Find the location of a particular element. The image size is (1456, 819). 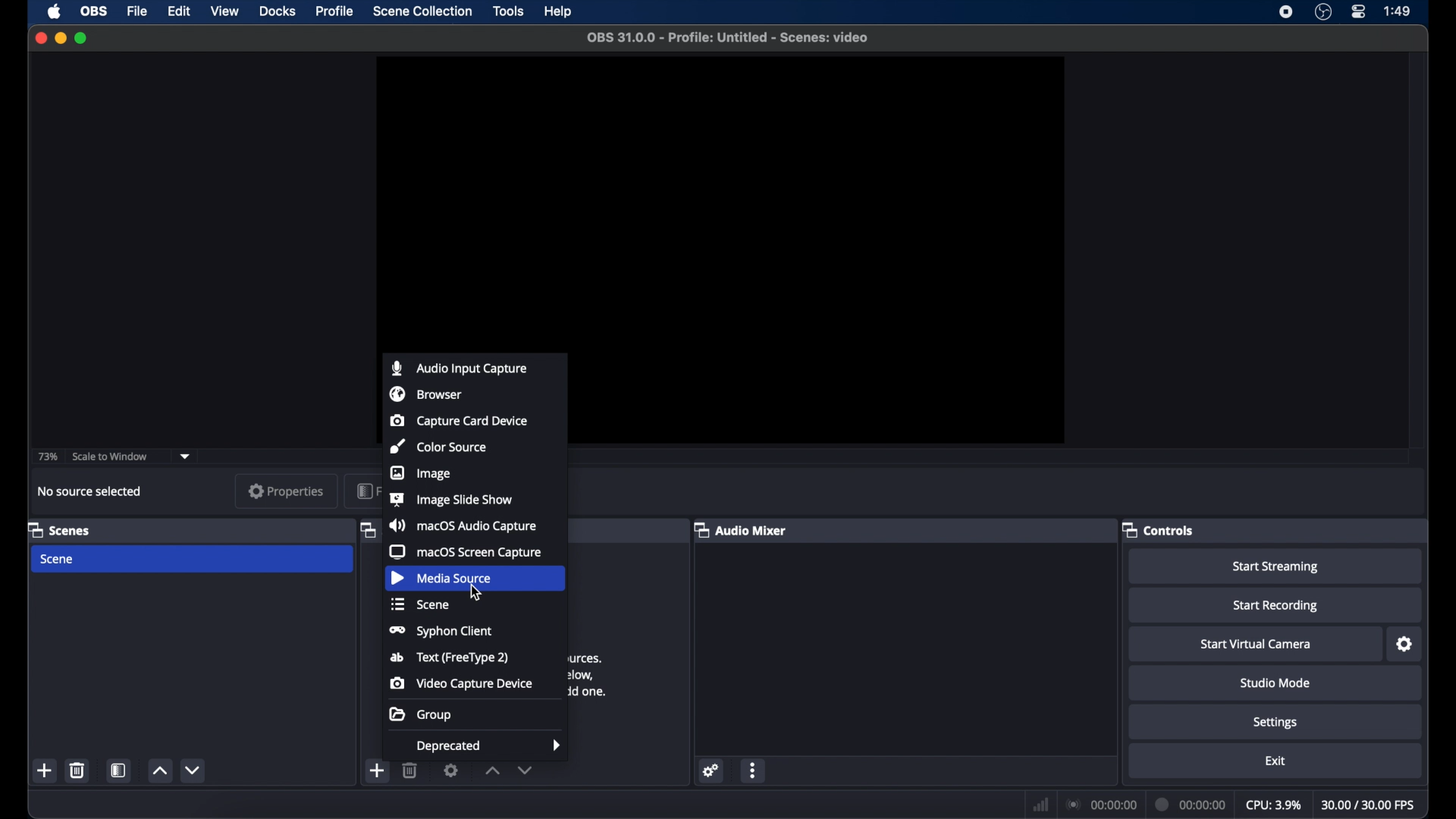

obs studio is located at coordinates (1323, 12).